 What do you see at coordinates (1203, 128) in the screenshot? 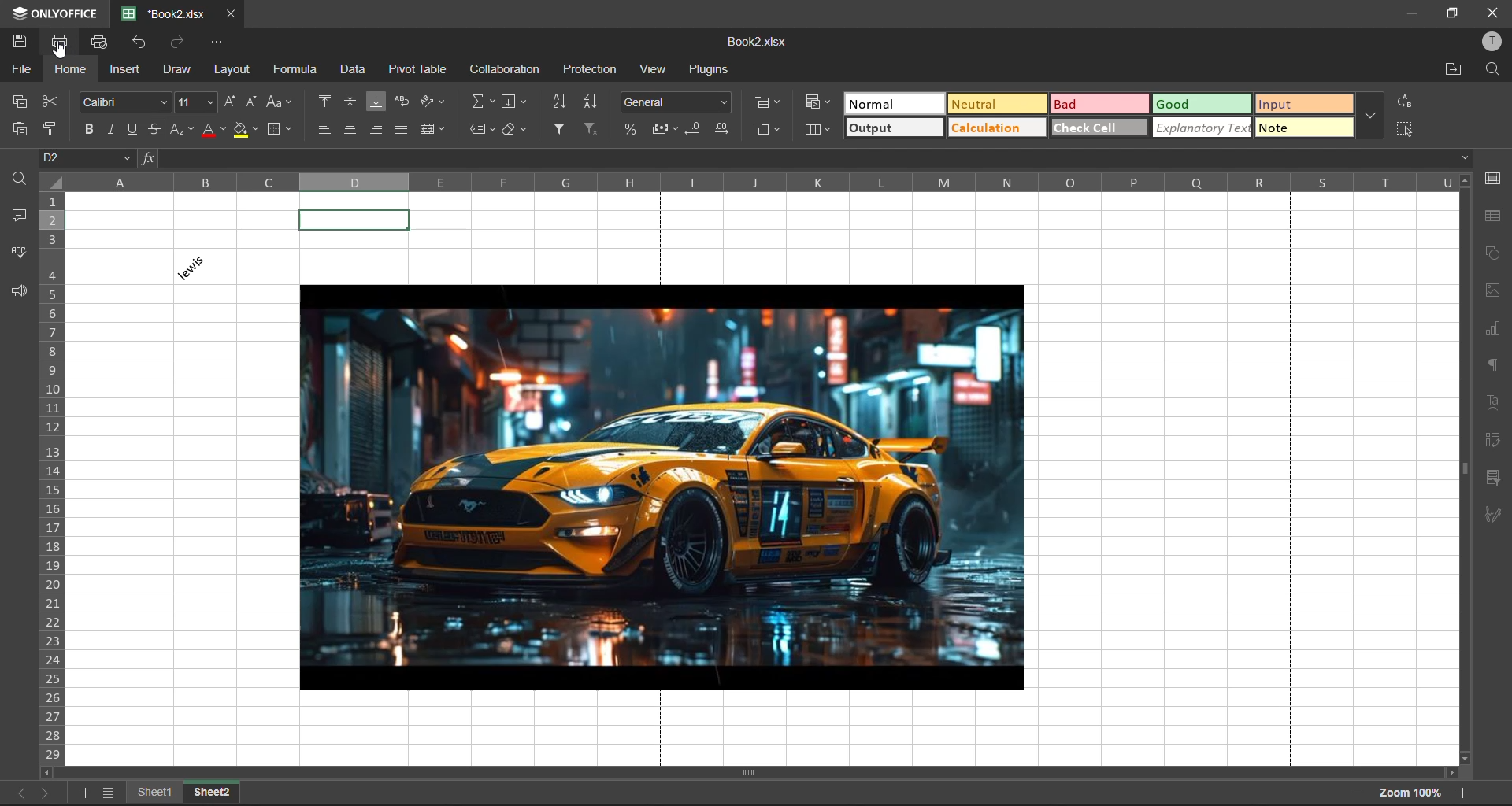
I see `explanatory text` at bounding box center [1203, 128].